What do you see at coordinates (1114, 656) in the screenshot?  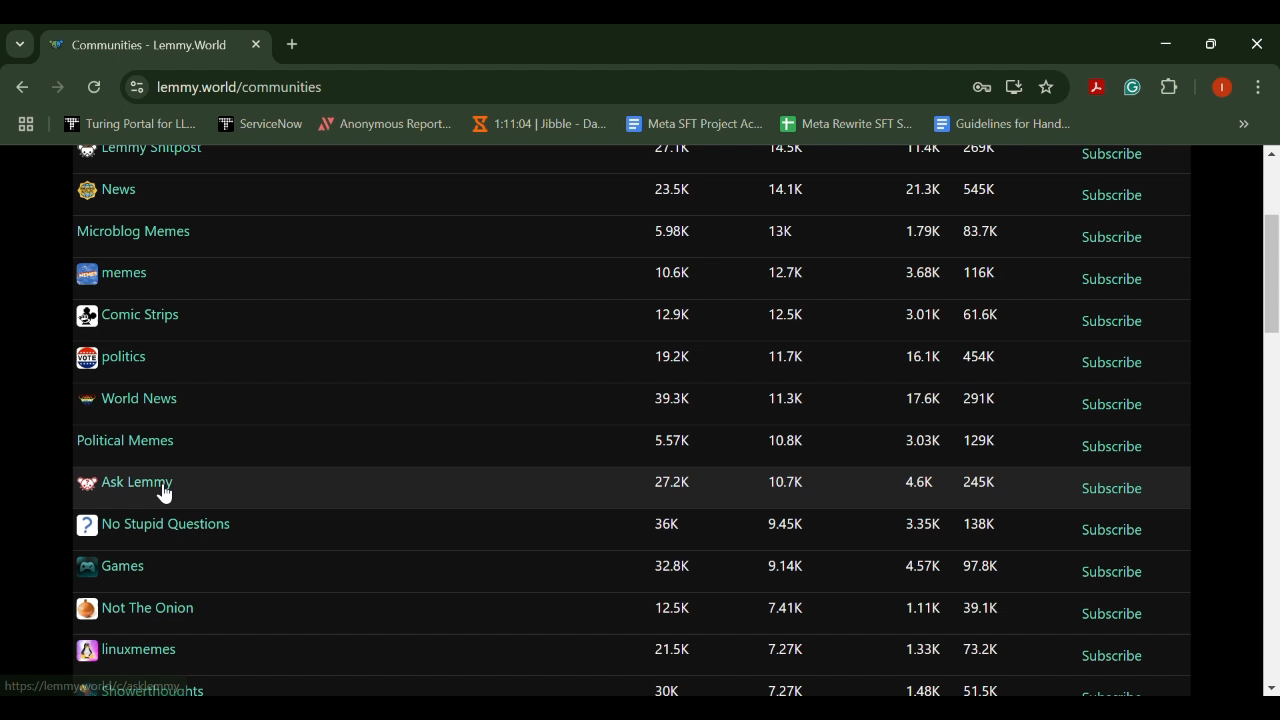 I see `Subscribe` at bounding box center [1114, 656].